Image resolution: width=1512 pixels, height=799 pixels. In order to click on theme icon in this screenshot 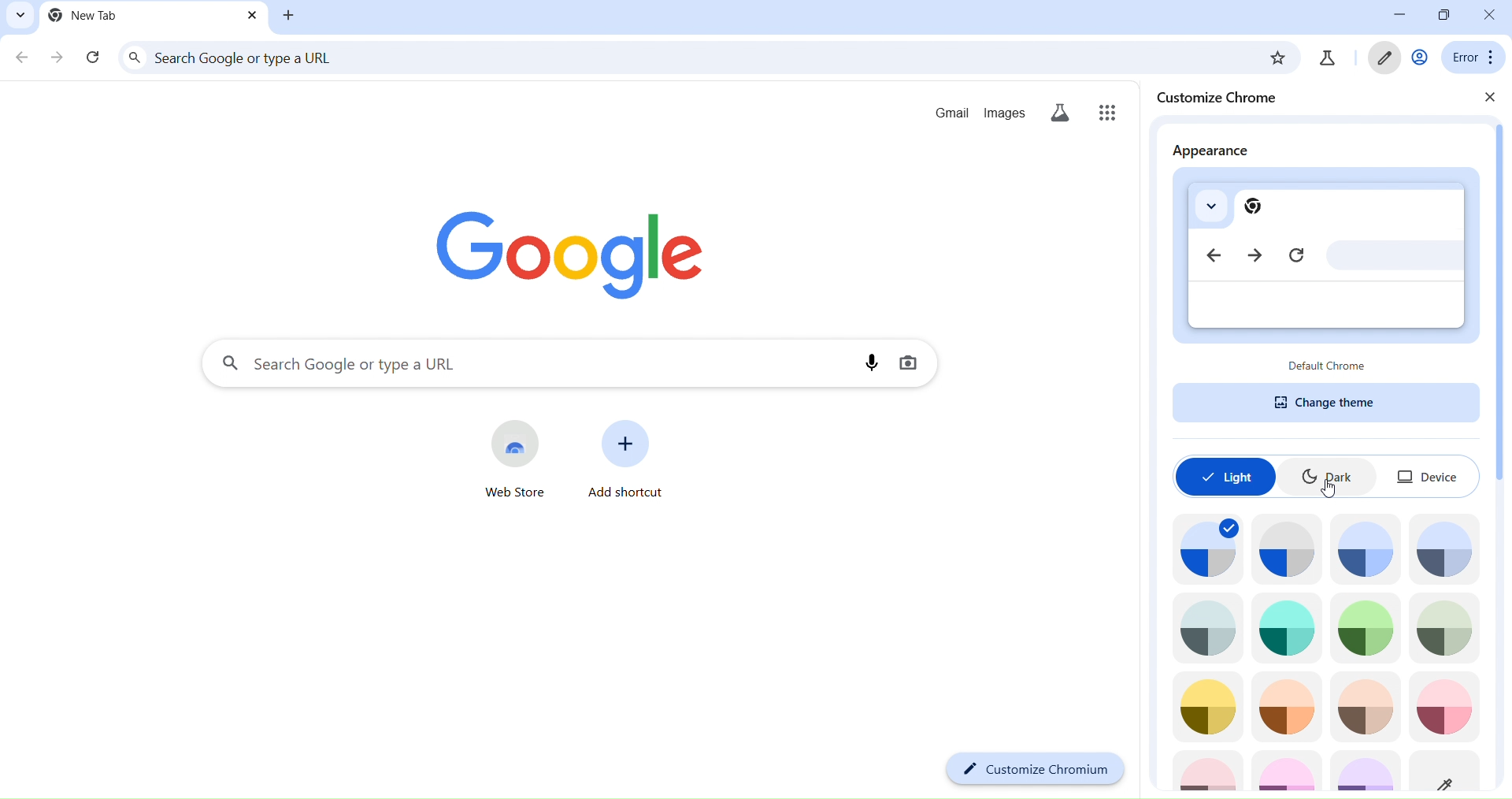, I will do `click(1446, 628)`.